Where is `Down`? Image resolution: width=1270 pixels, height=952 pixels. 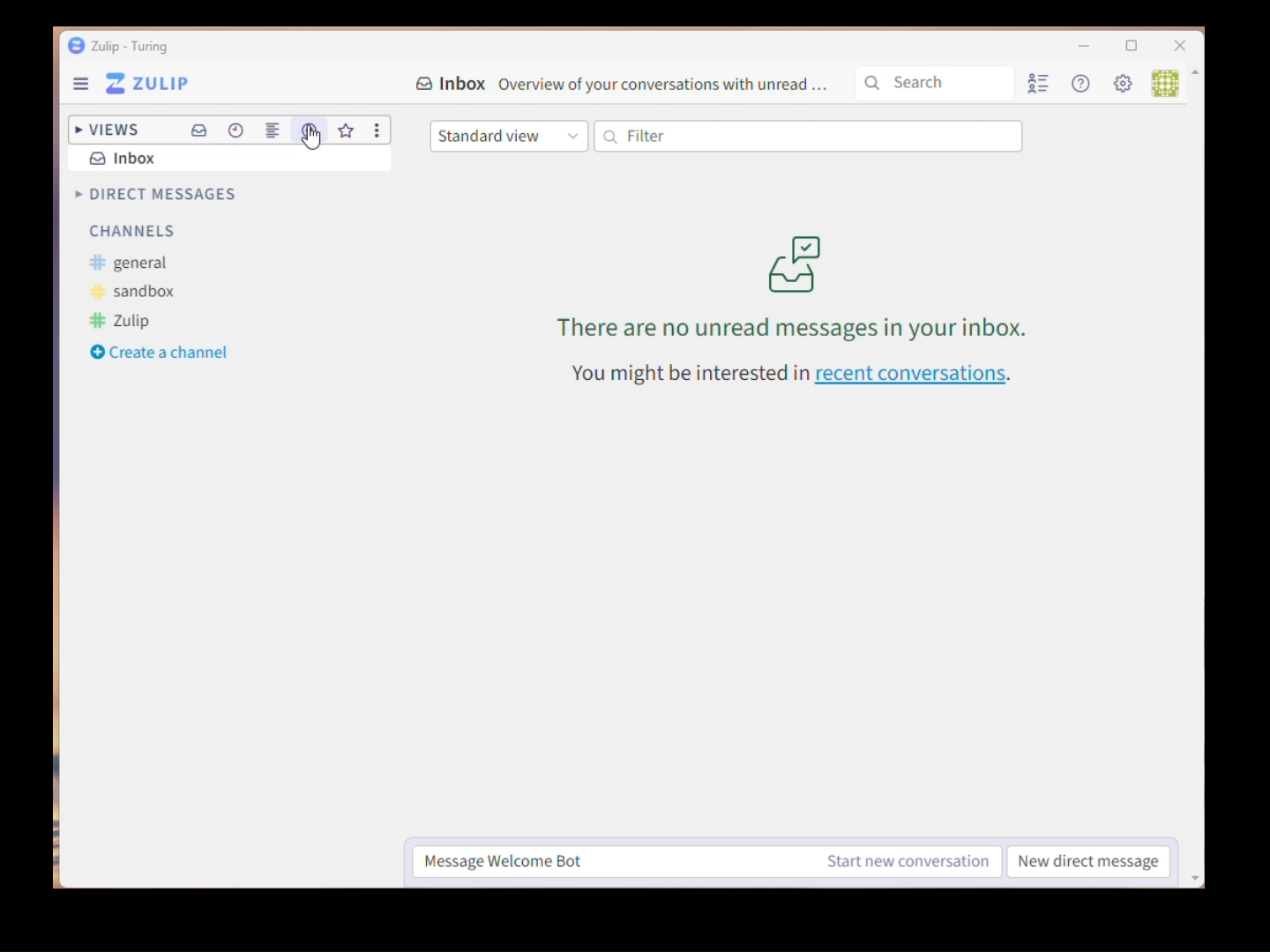 Down is located at coordinates (1198, 869).